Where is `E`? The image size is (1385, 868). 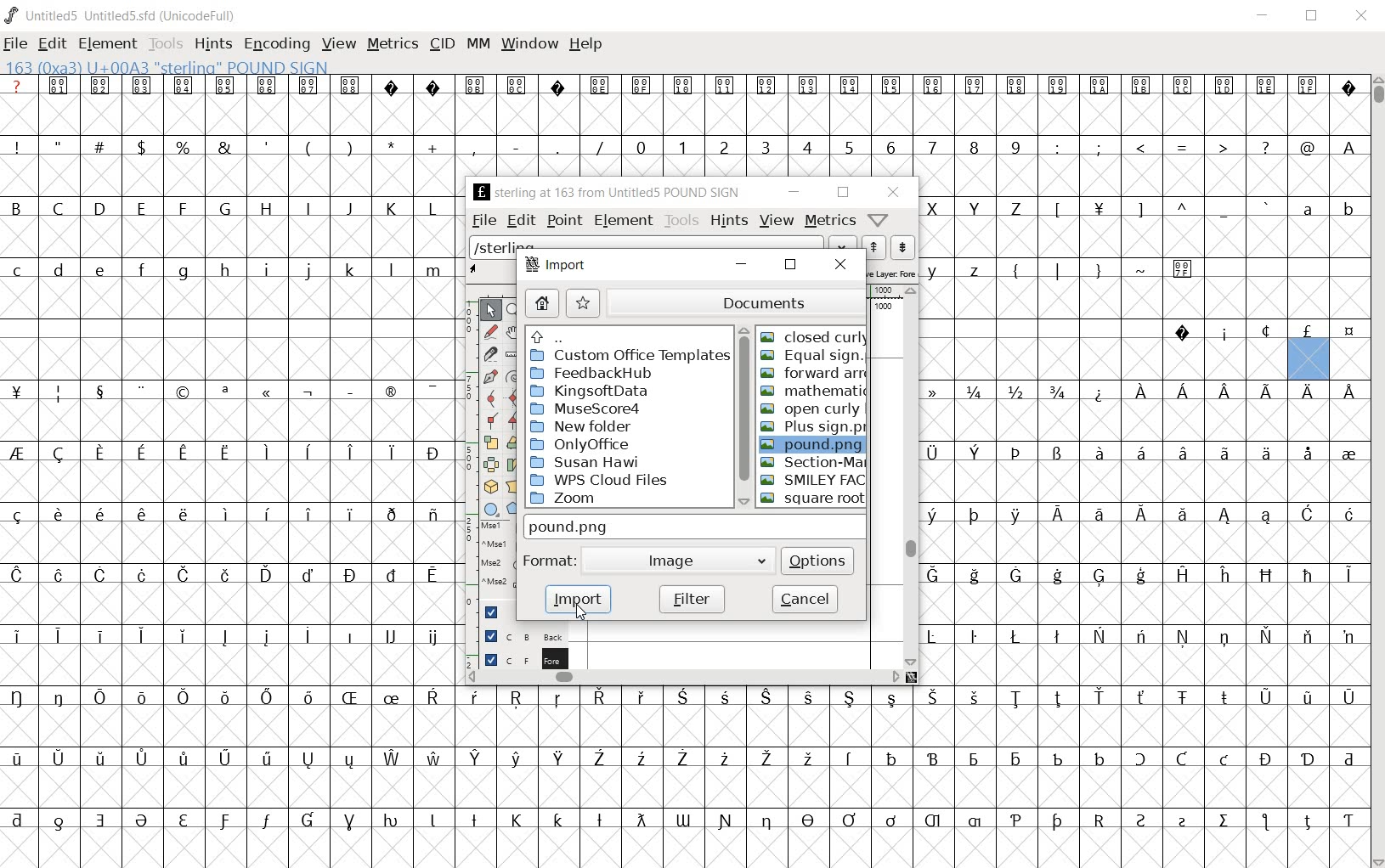
E is located at coordinates (140, 208).